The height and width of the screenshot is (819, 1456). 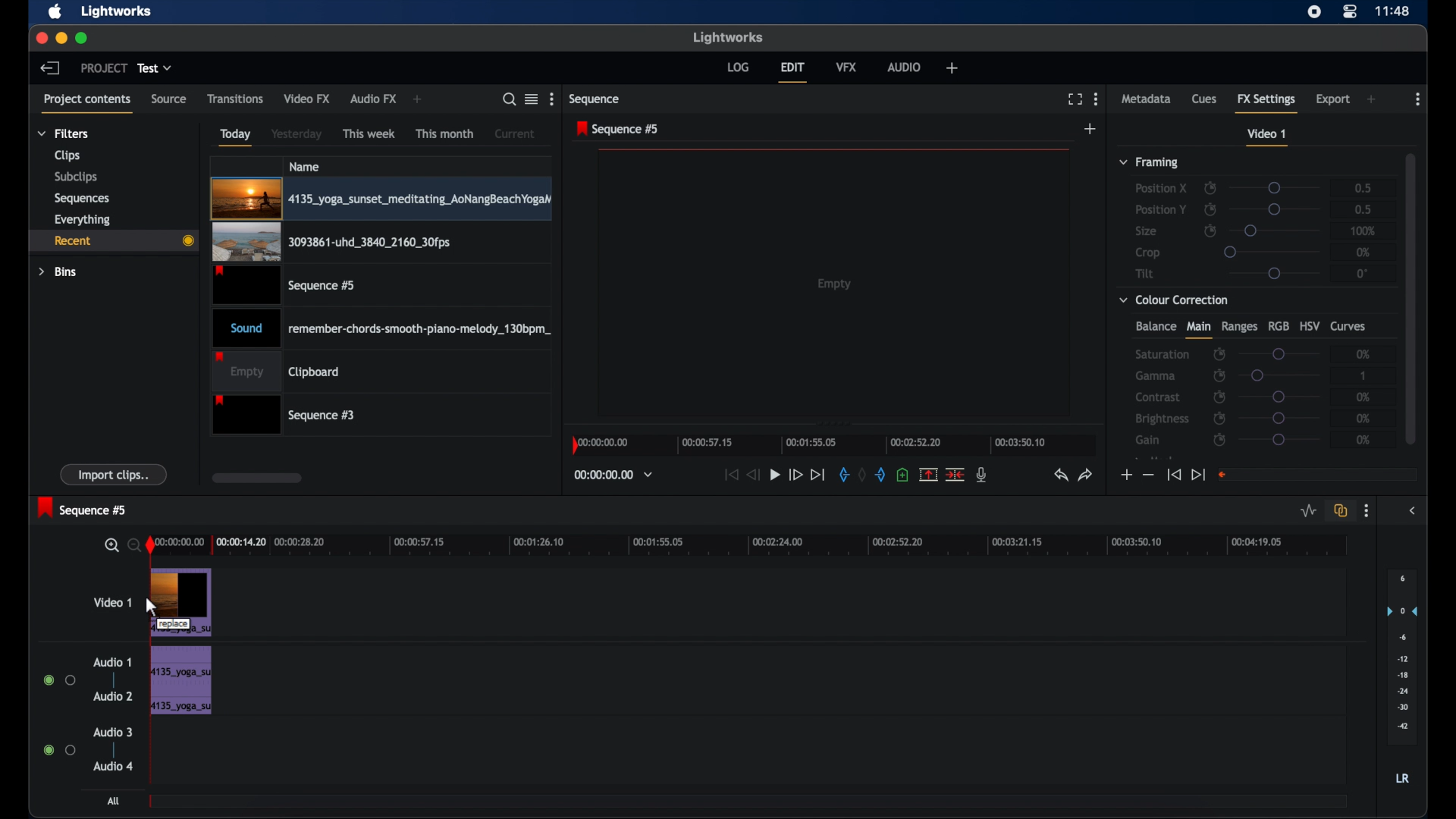 I want to click on slider, so click(x=1279, y=418).